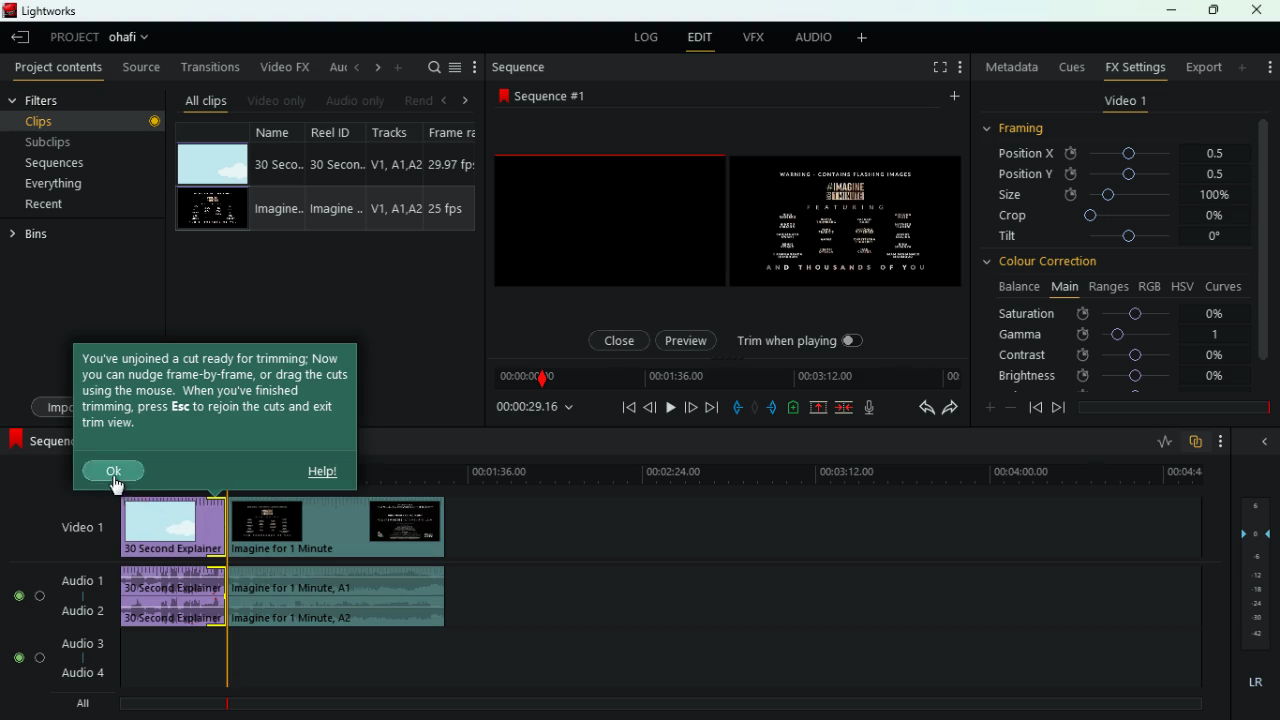 This screenshot has height=720, width=1280. I want to click on video fx, so click(282, 68).